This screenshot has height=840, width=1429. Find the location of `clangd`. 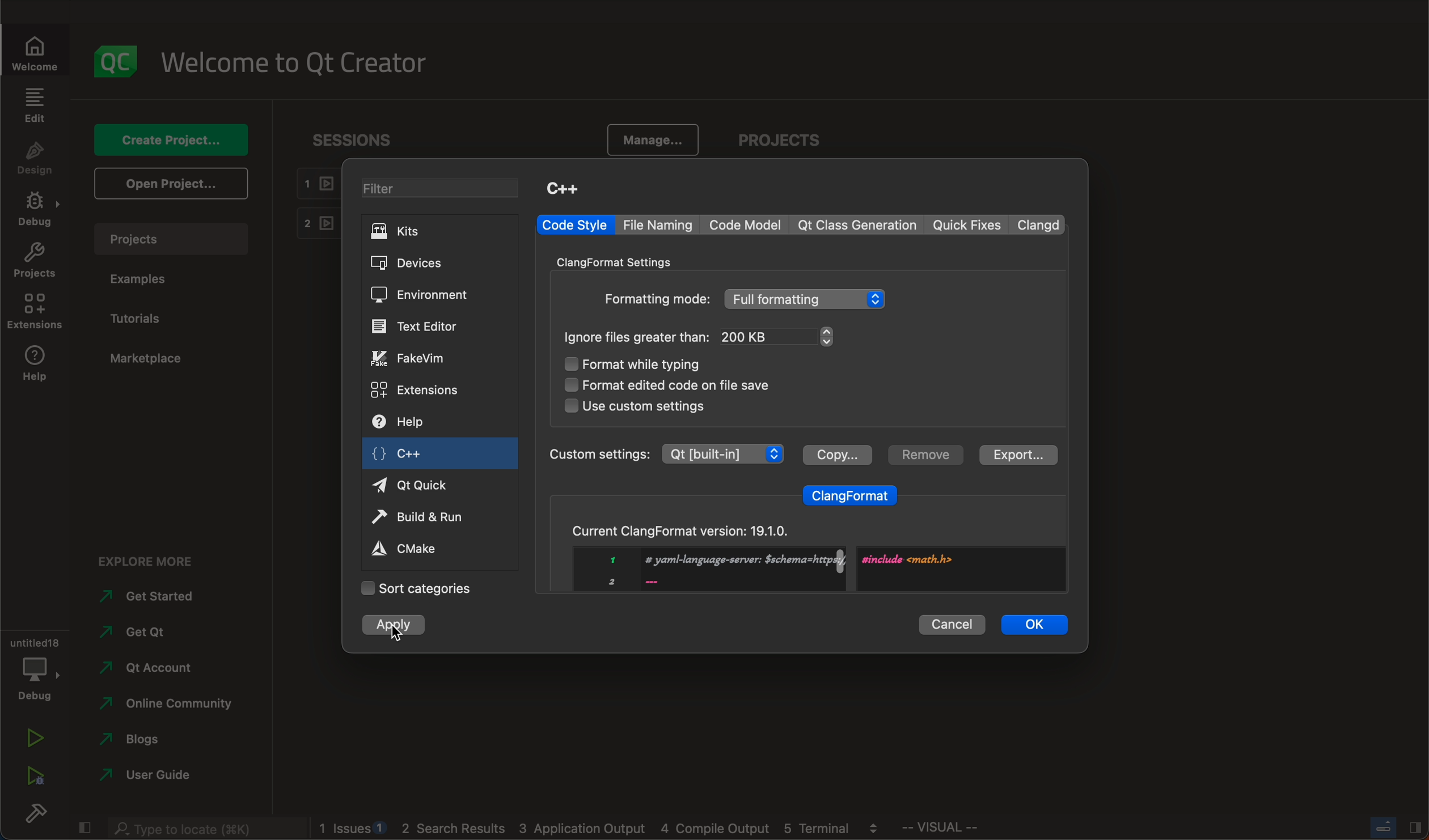

clangd is located at coordinates (1041, 224).